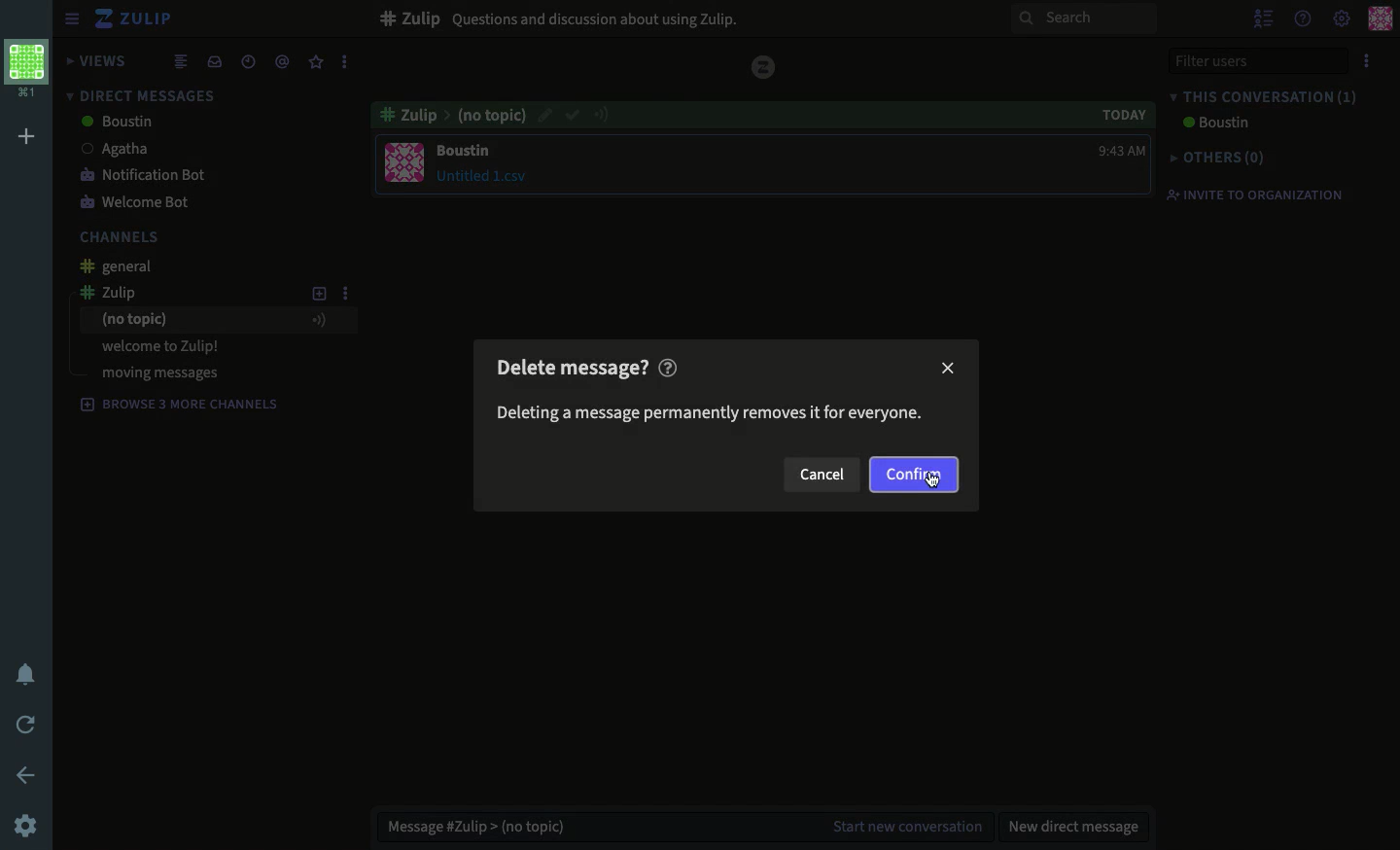 The height and width of the screenshot is (850, 1400). I want to click on confirm, so click(914, 475).